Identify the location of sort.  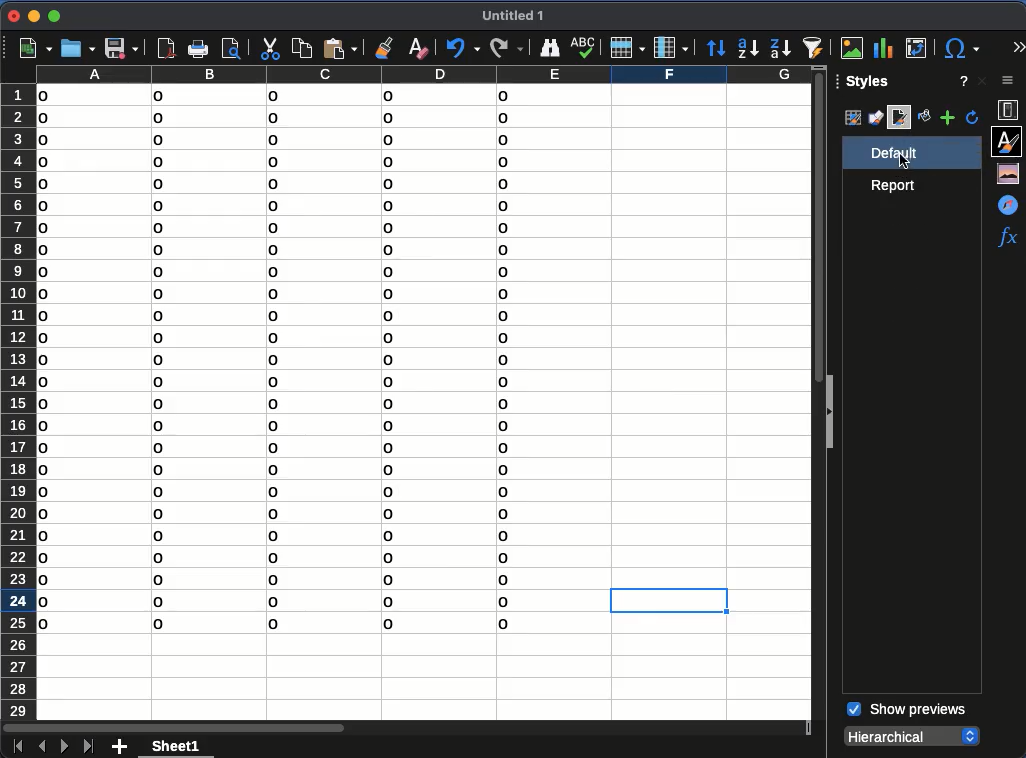
(715, 48).